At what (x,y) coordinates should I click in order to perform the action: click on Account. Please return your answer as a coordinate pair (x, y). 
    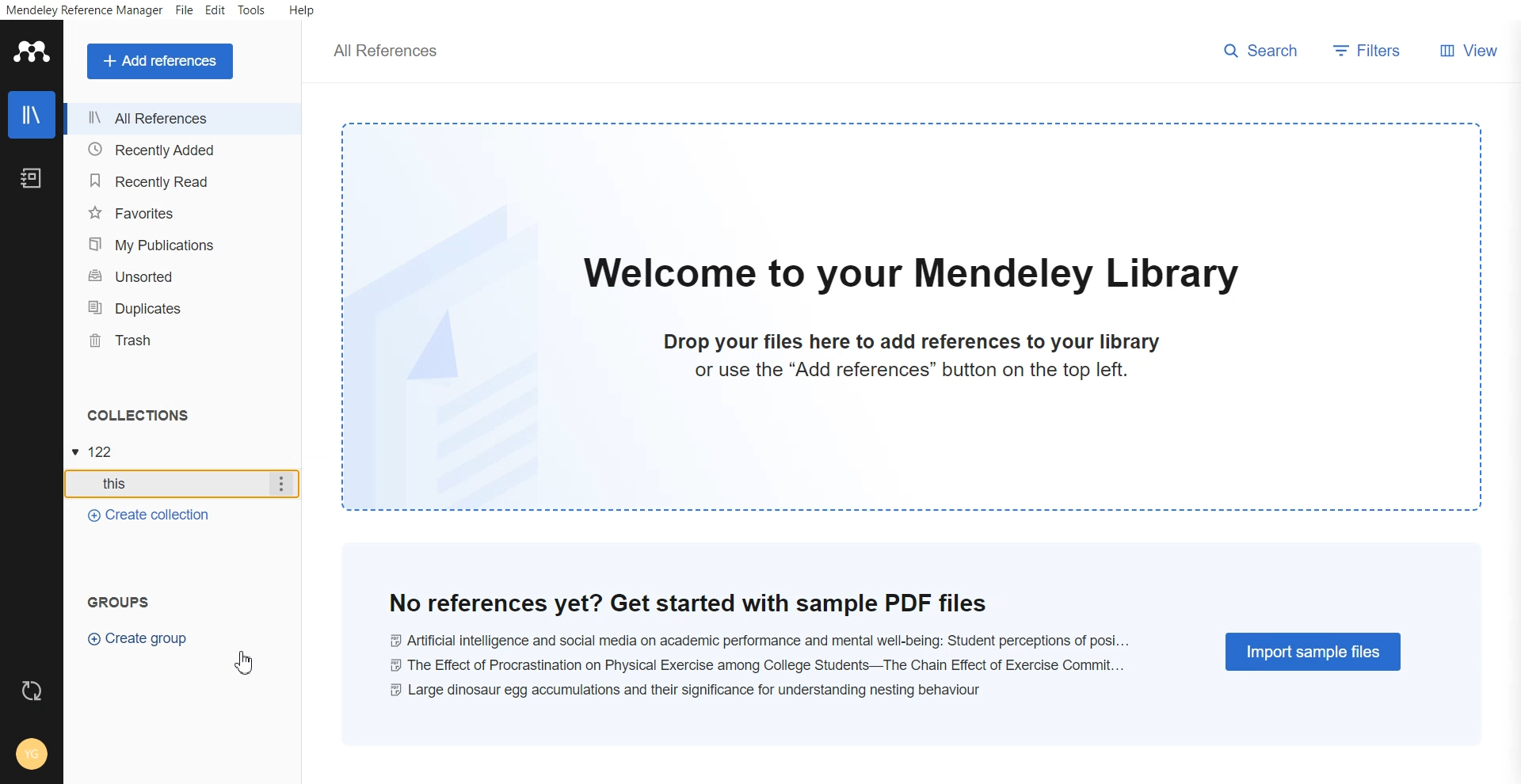
    Looking at the image, I should click on (32, 751).